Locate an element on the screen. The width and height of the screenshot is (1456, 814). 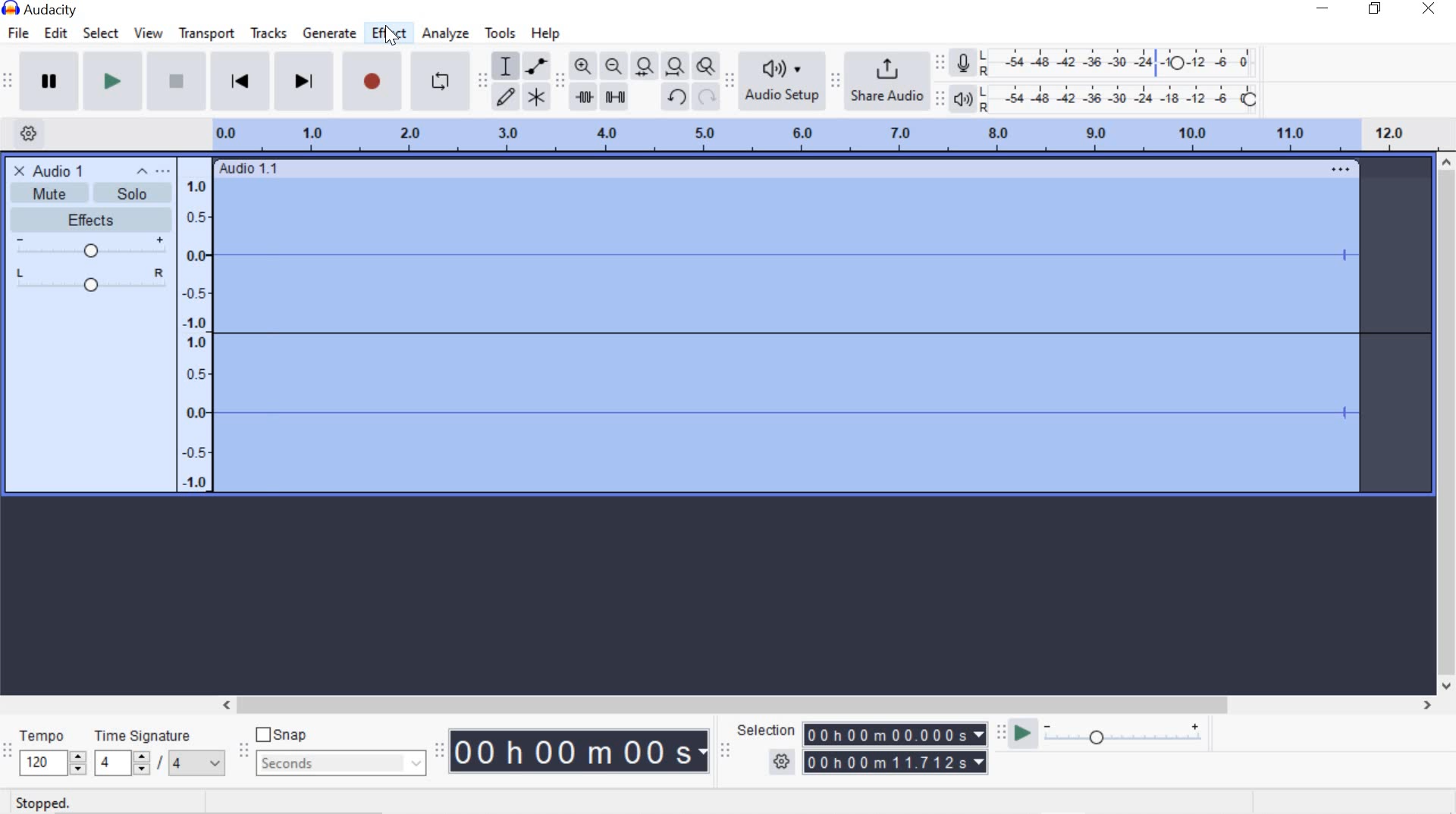
Selection tool is located at coordinates (506, 64).